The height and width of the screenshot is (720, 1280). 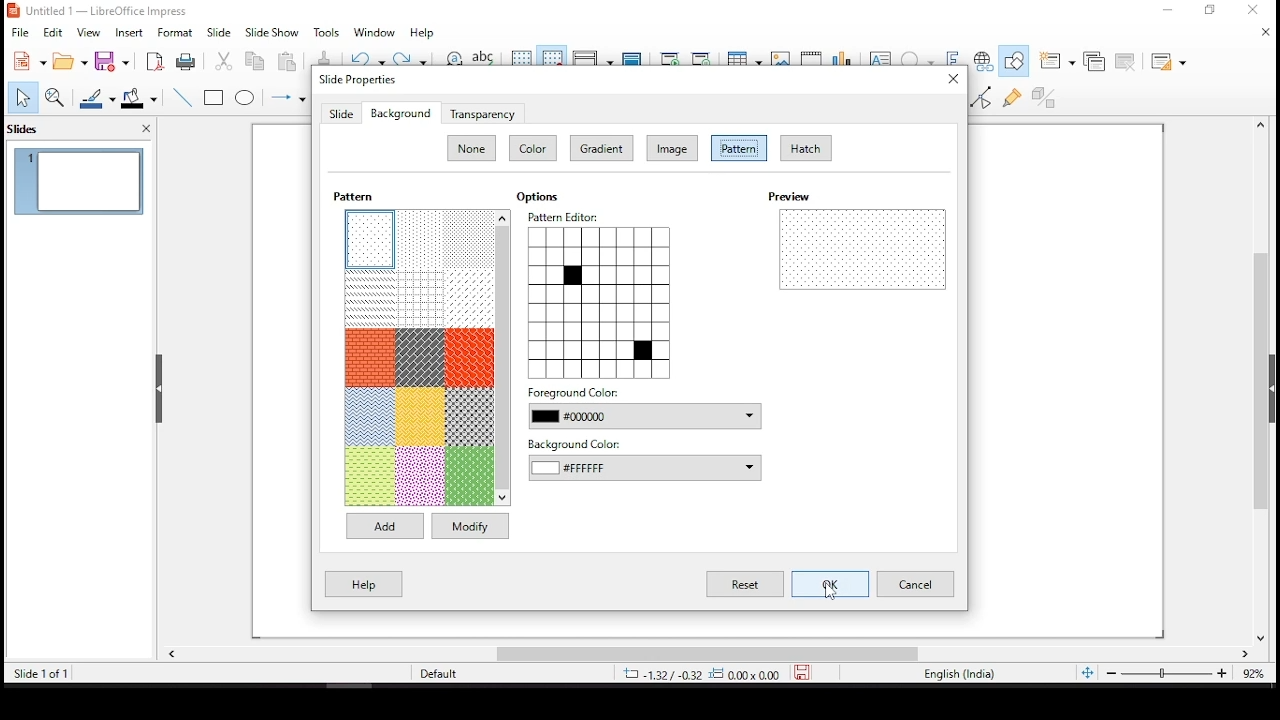 I want to click on line, so click(x=183, y=96).